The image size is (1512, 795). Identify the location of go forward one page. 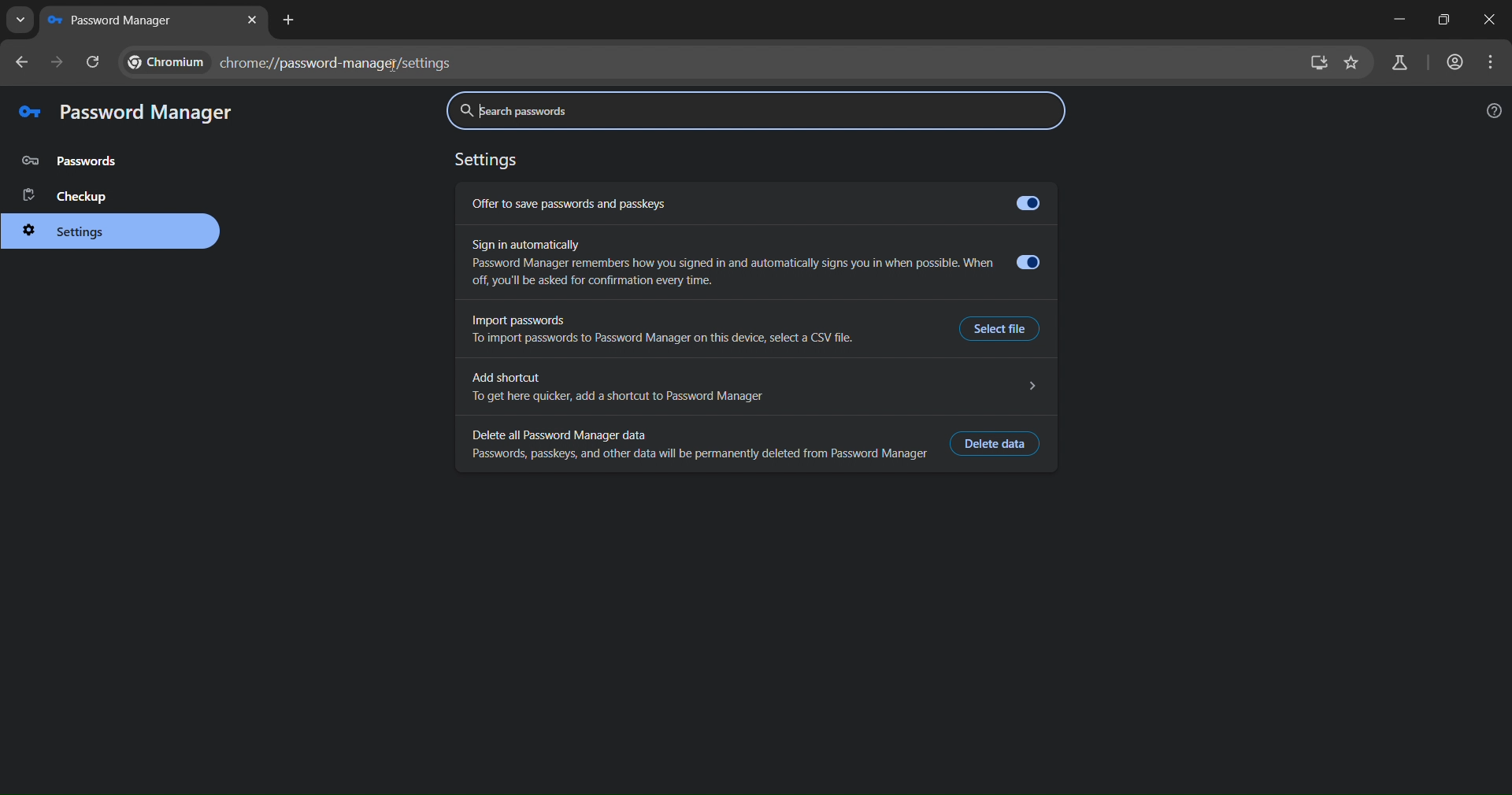
(59, 65).